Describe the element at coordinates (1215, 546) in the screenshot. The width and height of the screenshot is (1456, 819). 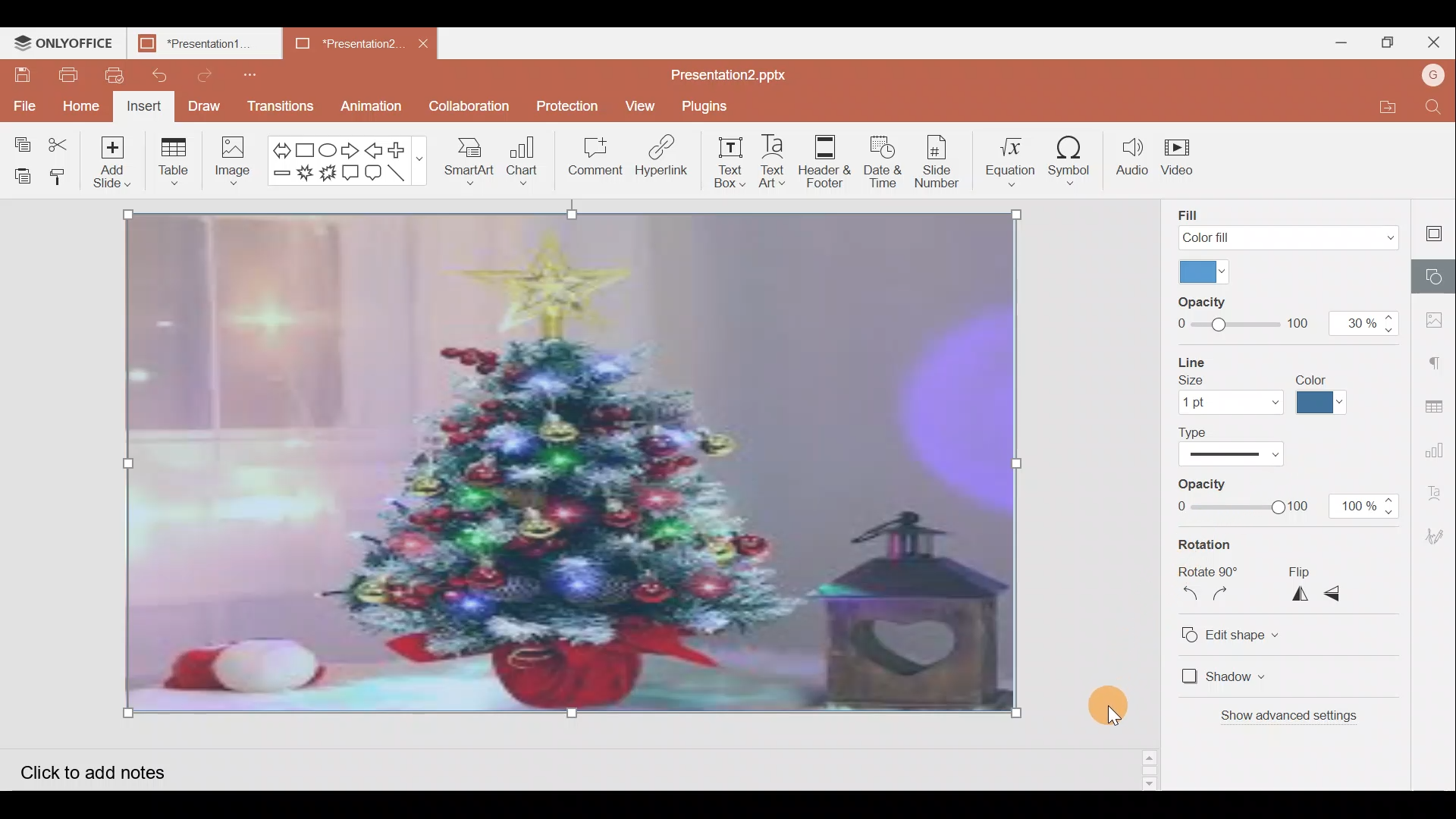
I see `Rotation` at that location.